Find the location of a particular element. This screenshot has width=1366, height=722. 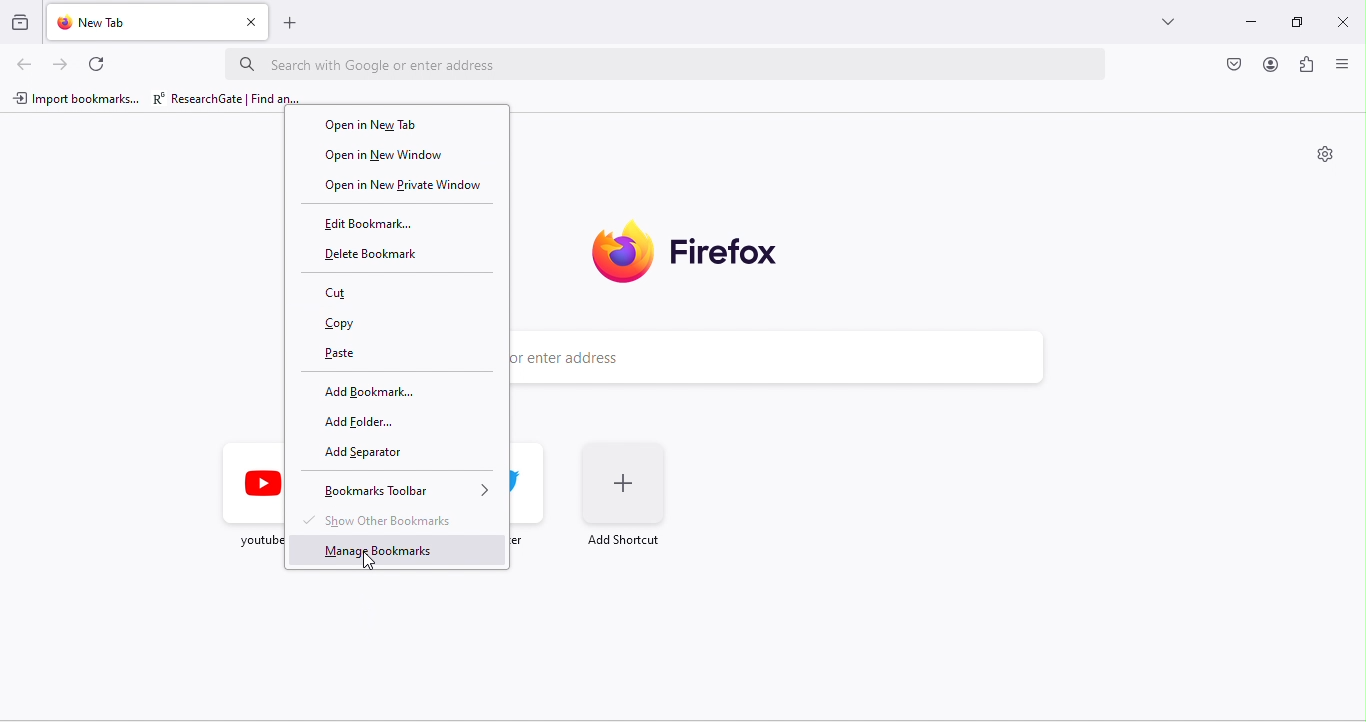

show other bookmarks is located at coordinates (385, 520).